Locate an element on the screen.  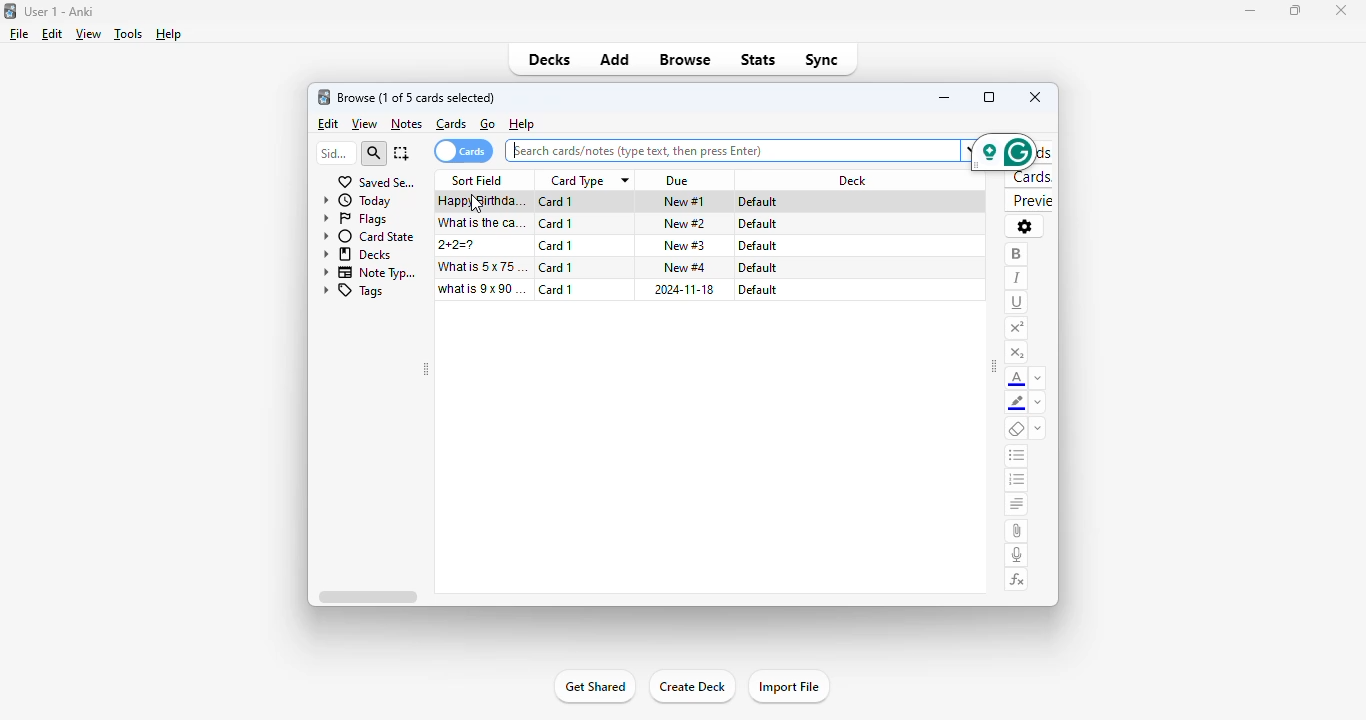
bold is located at coordinates (1016, 255).